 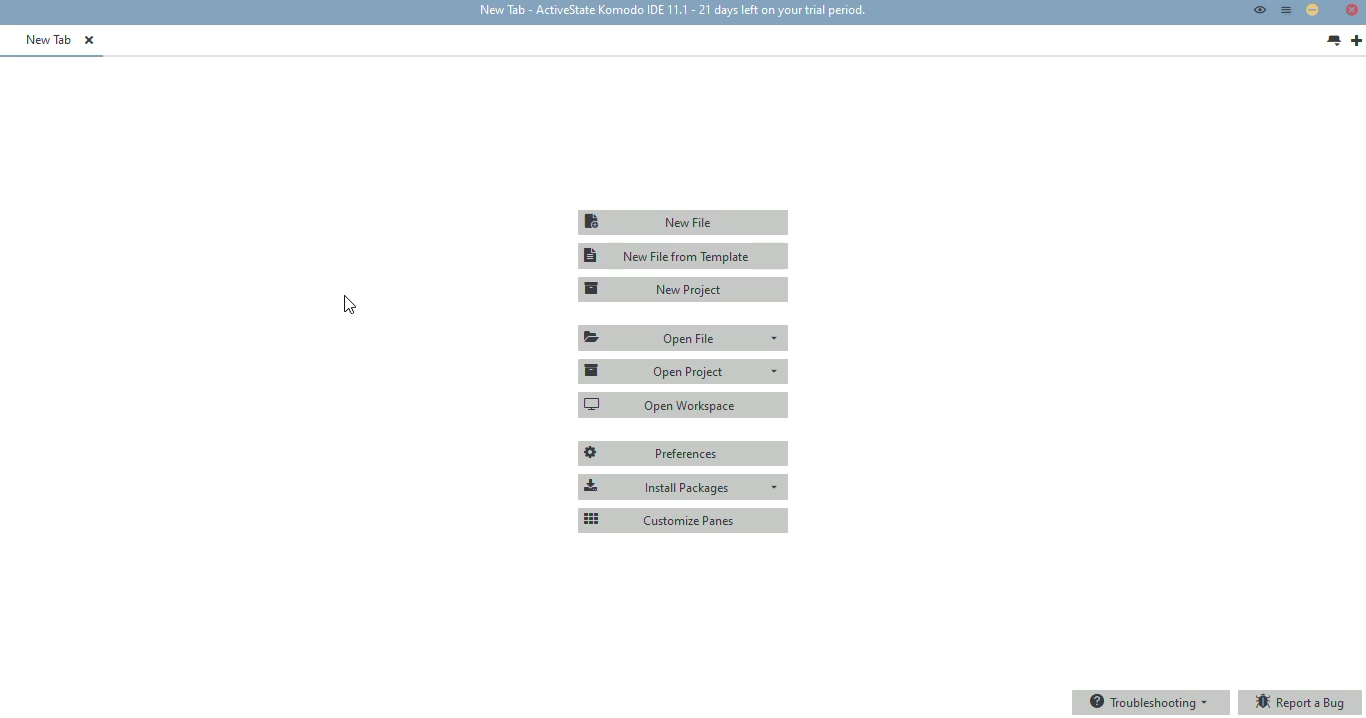 I want to click on open workspace, so click(x=684, y=404).